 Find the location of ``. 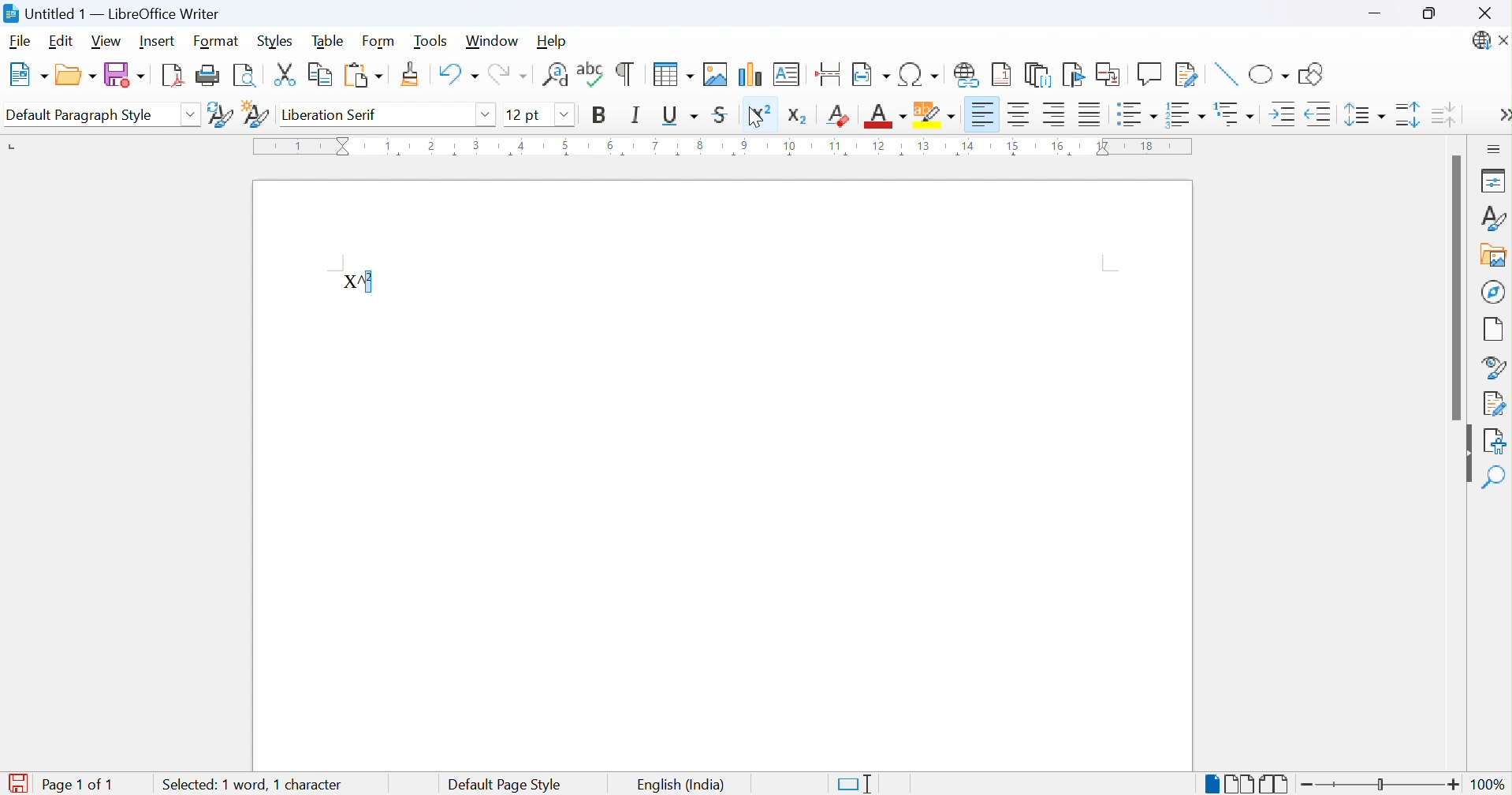

 is located at coordinates (564, 115).